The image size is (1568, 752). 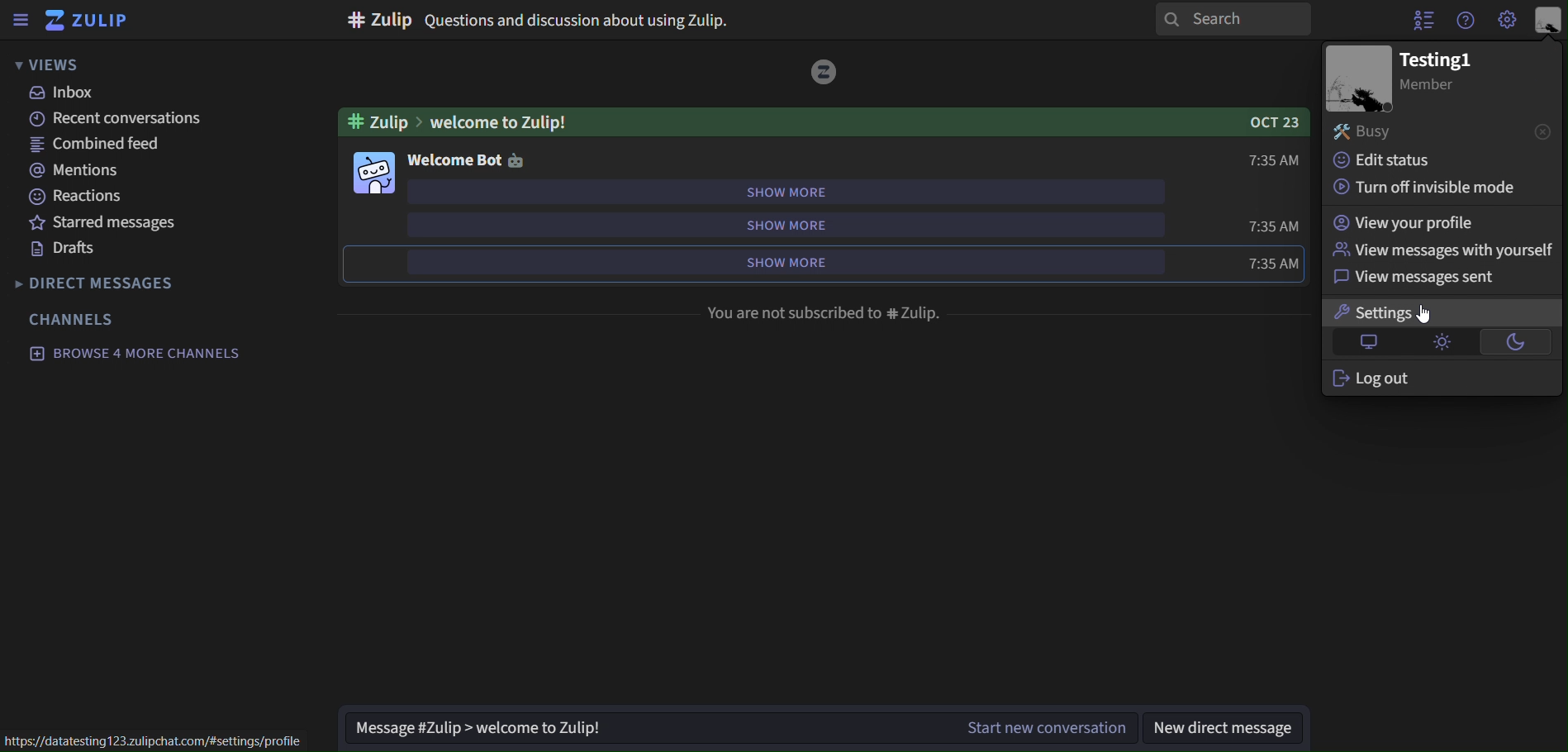 I want to click on dark theme, so click(x=1515, y=342).